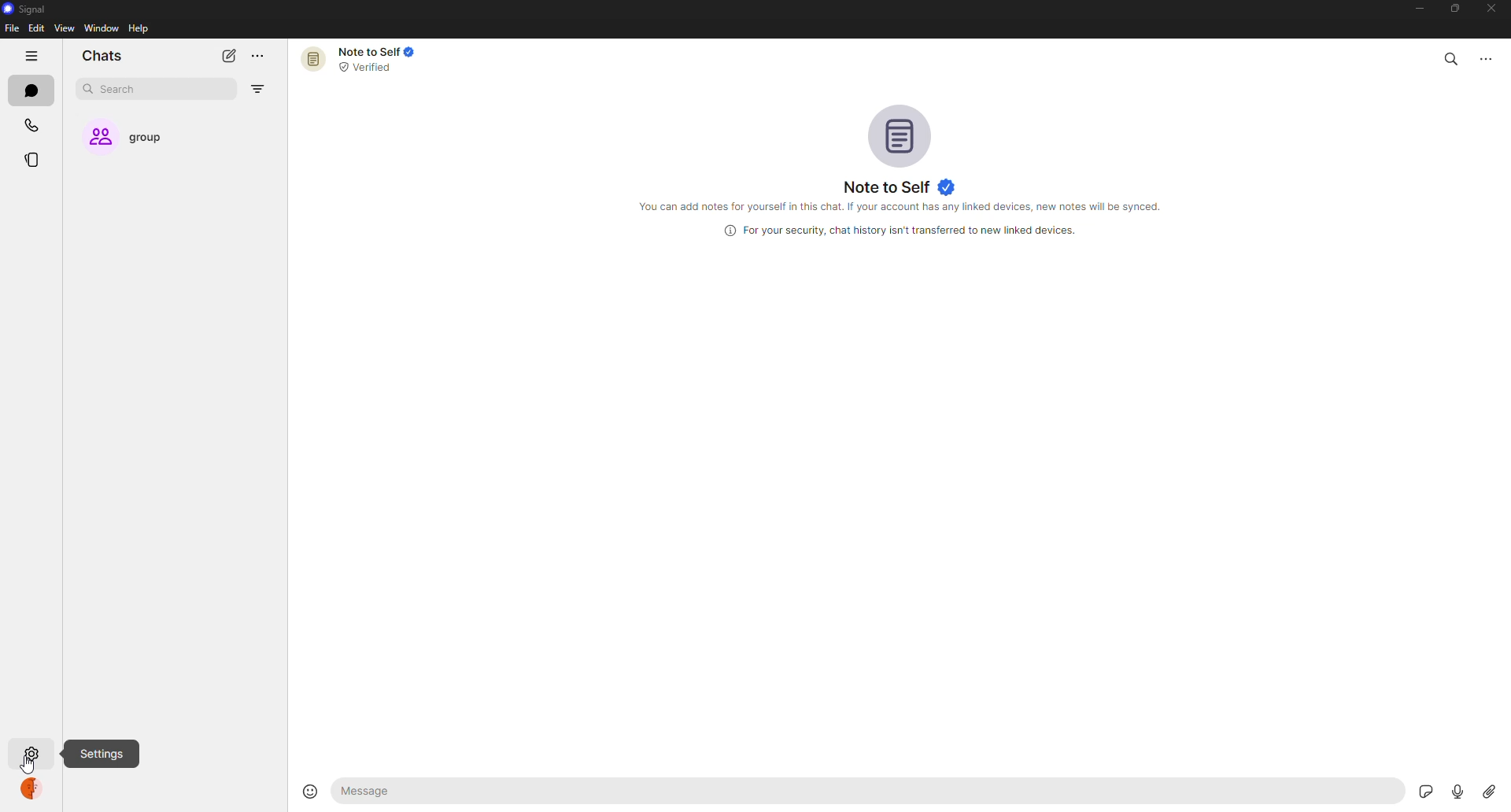 The height and width of the screenshot is (812, 1511). Describe the element at coordinates (1423, 791) in the screenshot. I see `stickers` at that location.